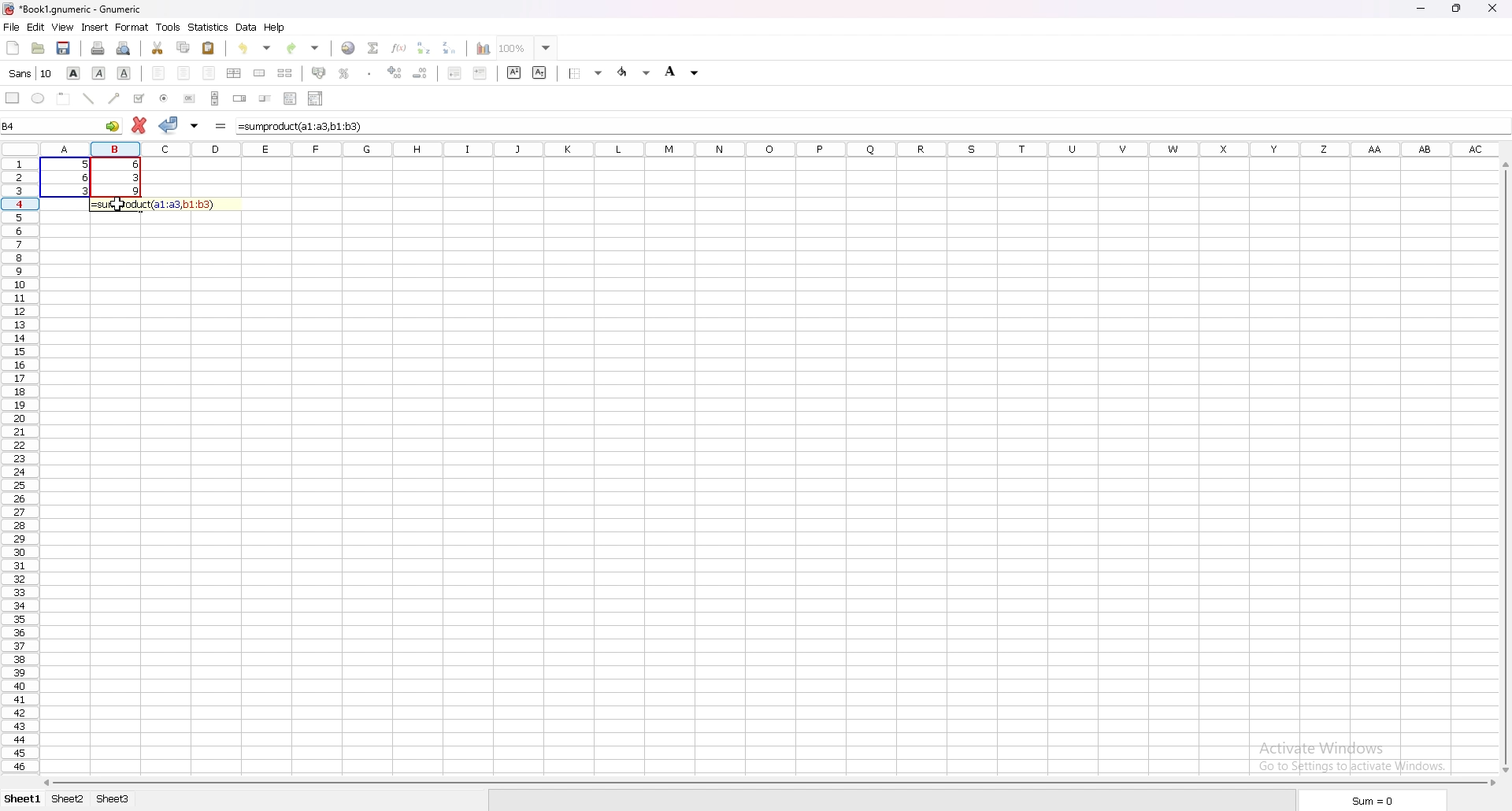  I want to click on underline, so click(125, 72).